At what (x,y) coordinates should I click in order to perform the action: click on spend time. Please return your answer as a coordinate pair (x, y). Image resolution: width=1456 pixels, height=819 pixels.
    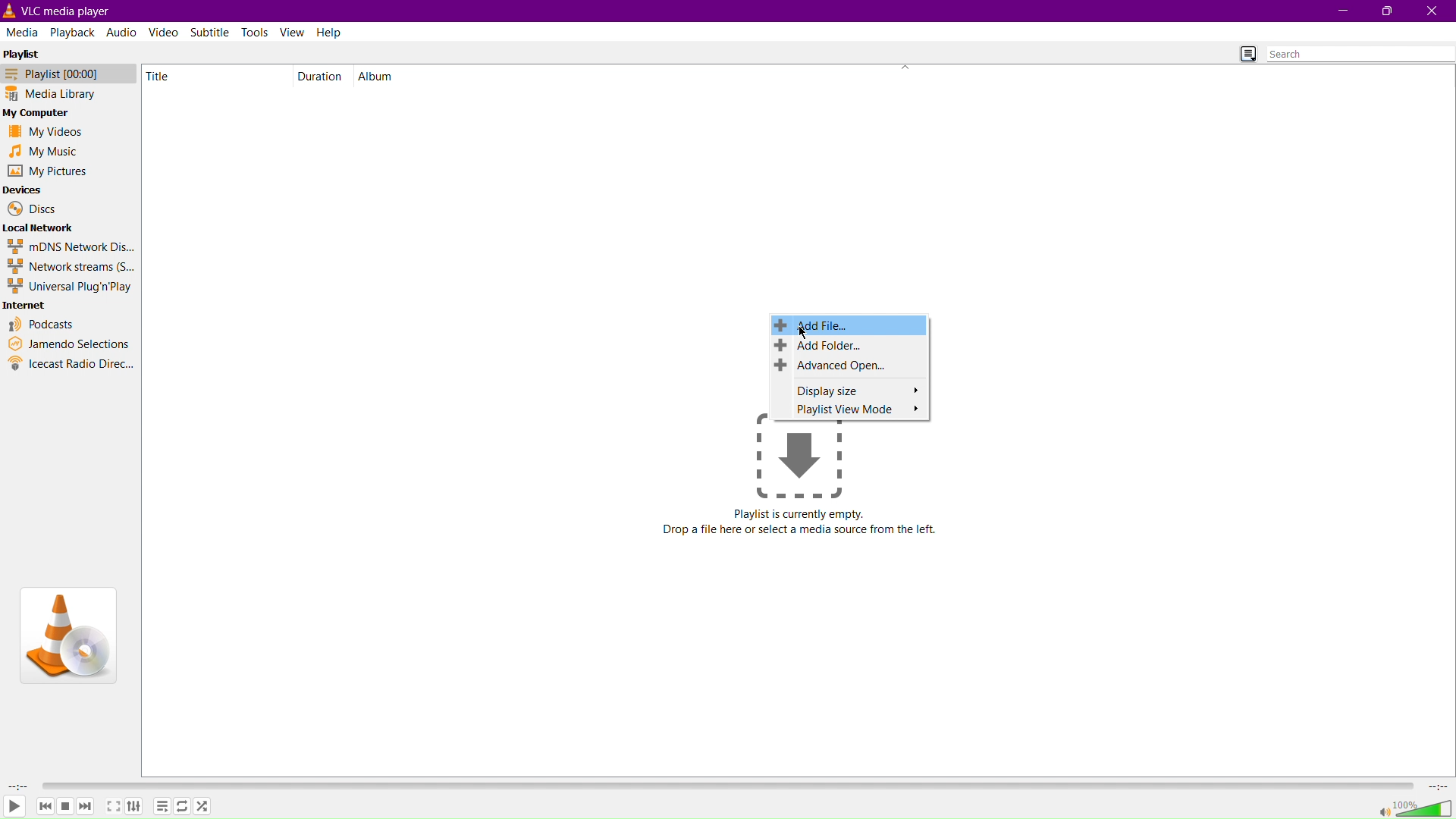
    Looking at the image, I should click on (15, 786).